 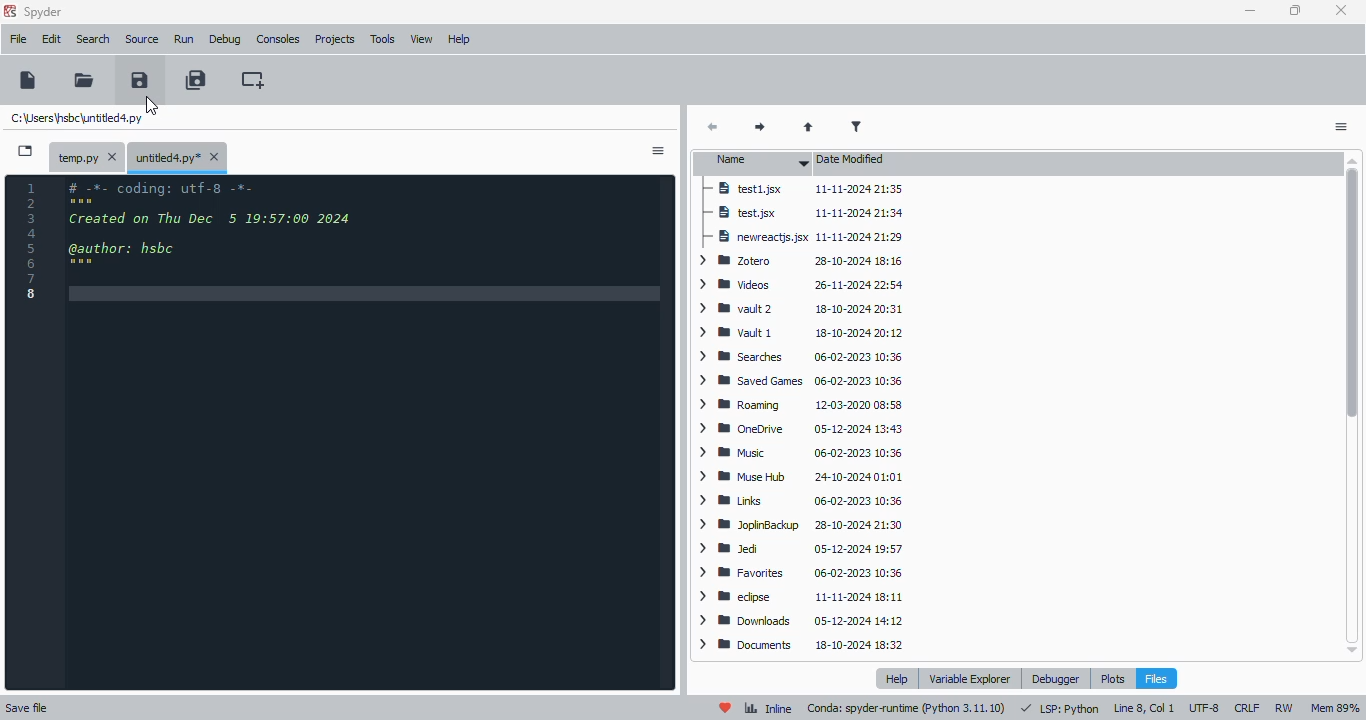 I want to click on CRLF, so click(x=1248, y=708).